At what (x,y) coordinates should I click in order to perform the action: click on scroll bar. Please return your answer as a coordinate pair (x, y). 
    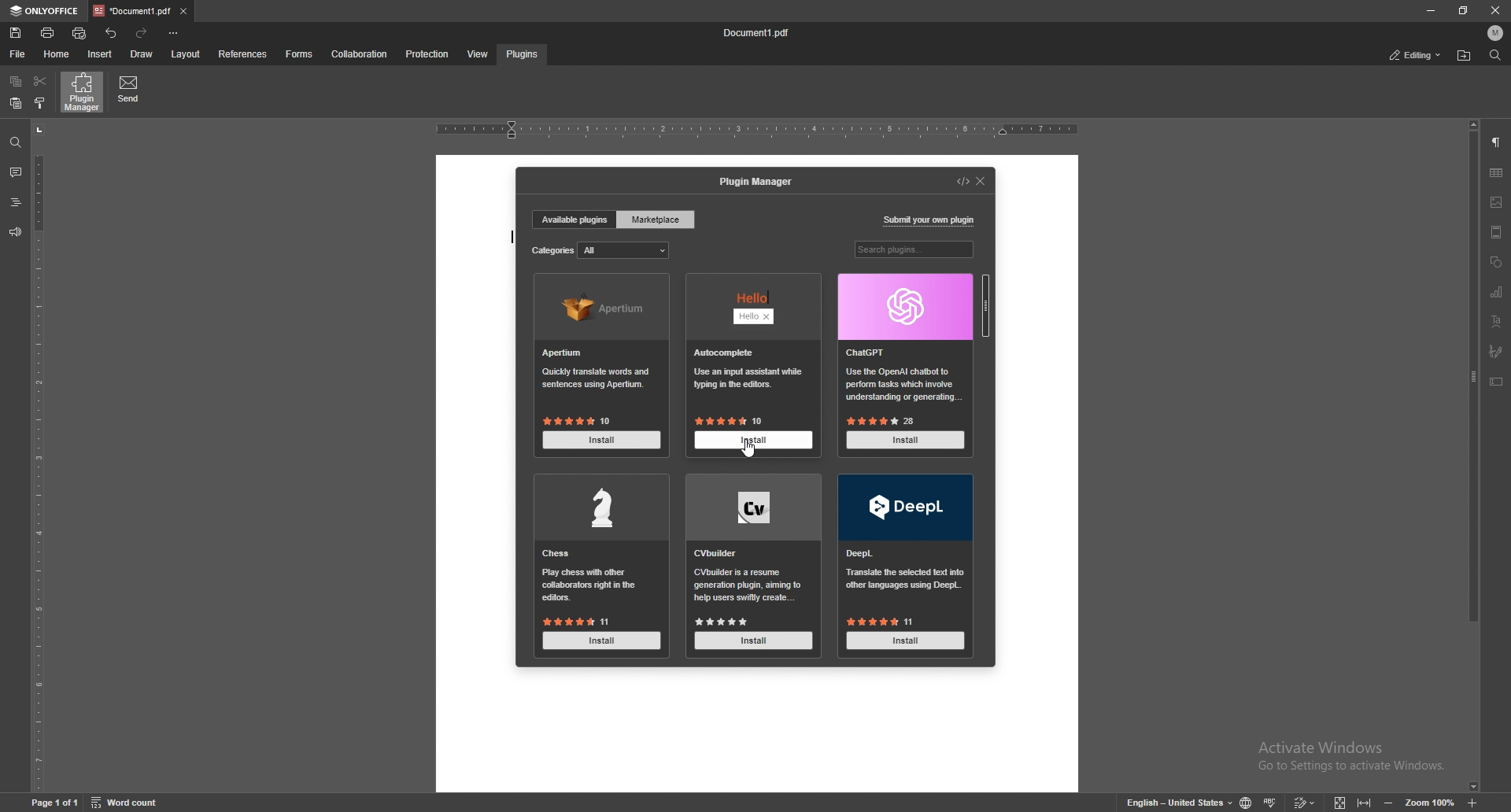
    Looking at the image, I should click on (1472, 455).